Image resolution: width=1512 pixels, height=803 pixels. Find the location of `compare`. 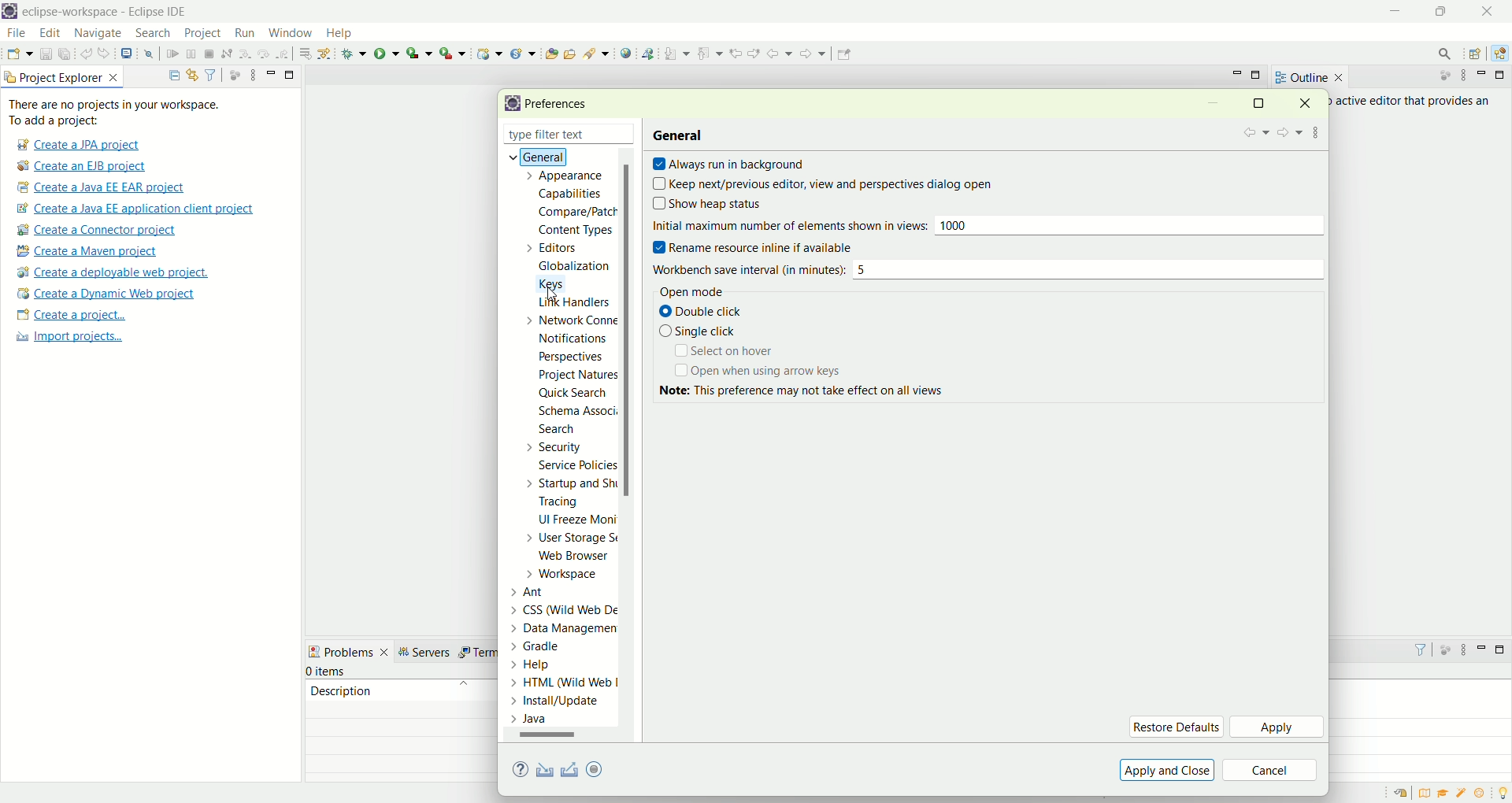

compare is located at coordinates (576, 211).